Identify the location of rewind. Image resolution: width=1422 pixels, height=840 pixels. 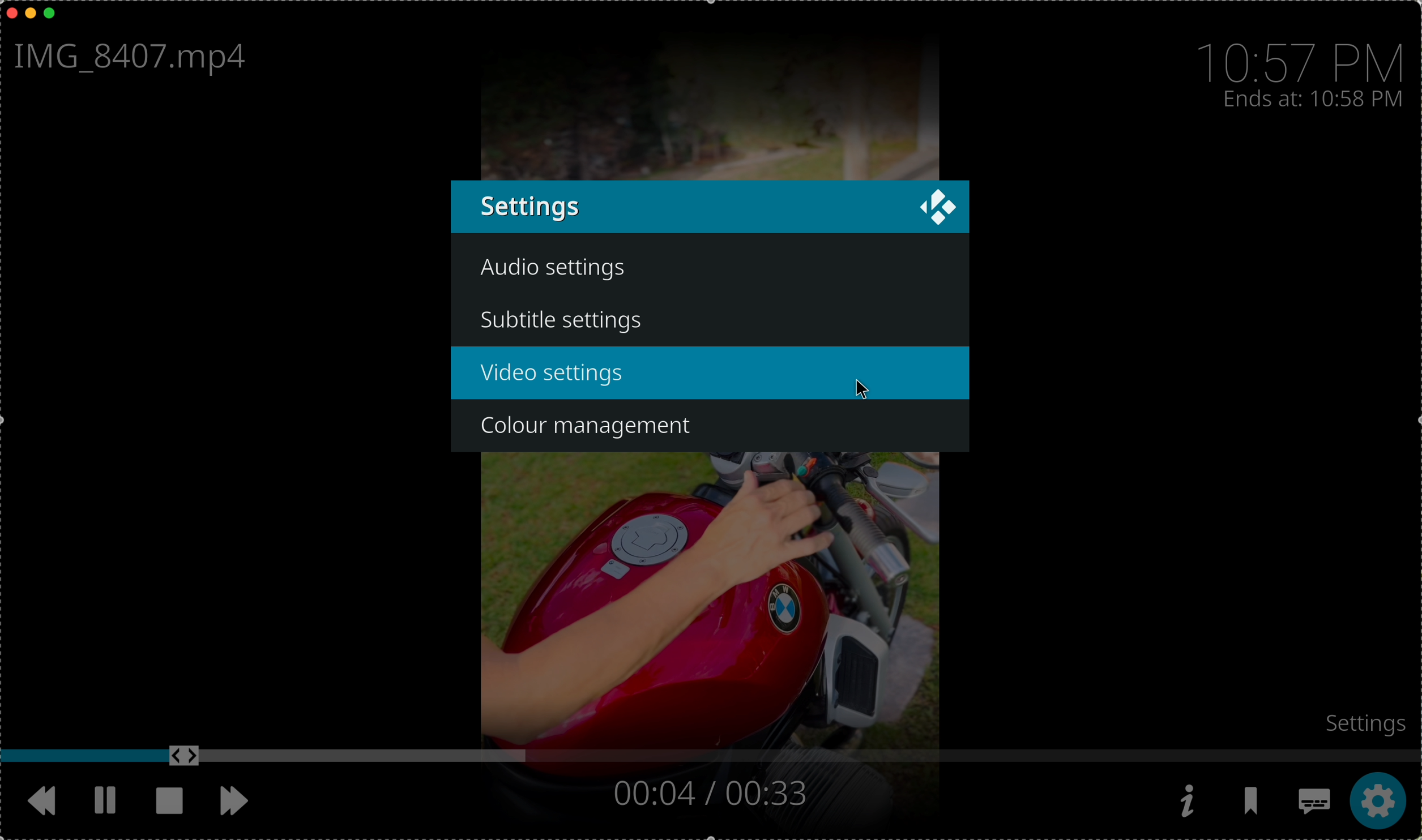
(46, 806).